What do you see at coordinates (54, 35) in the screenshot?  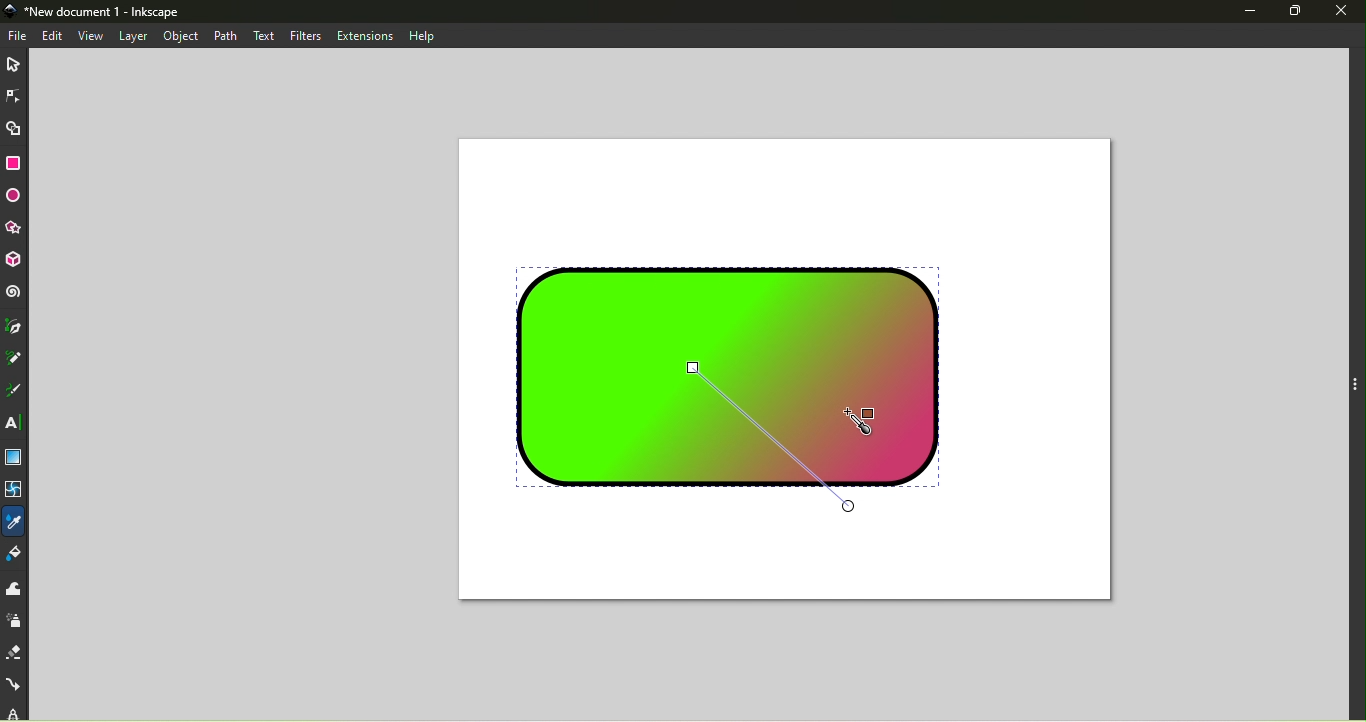 I see `edit` at bounding box center [54, 35].